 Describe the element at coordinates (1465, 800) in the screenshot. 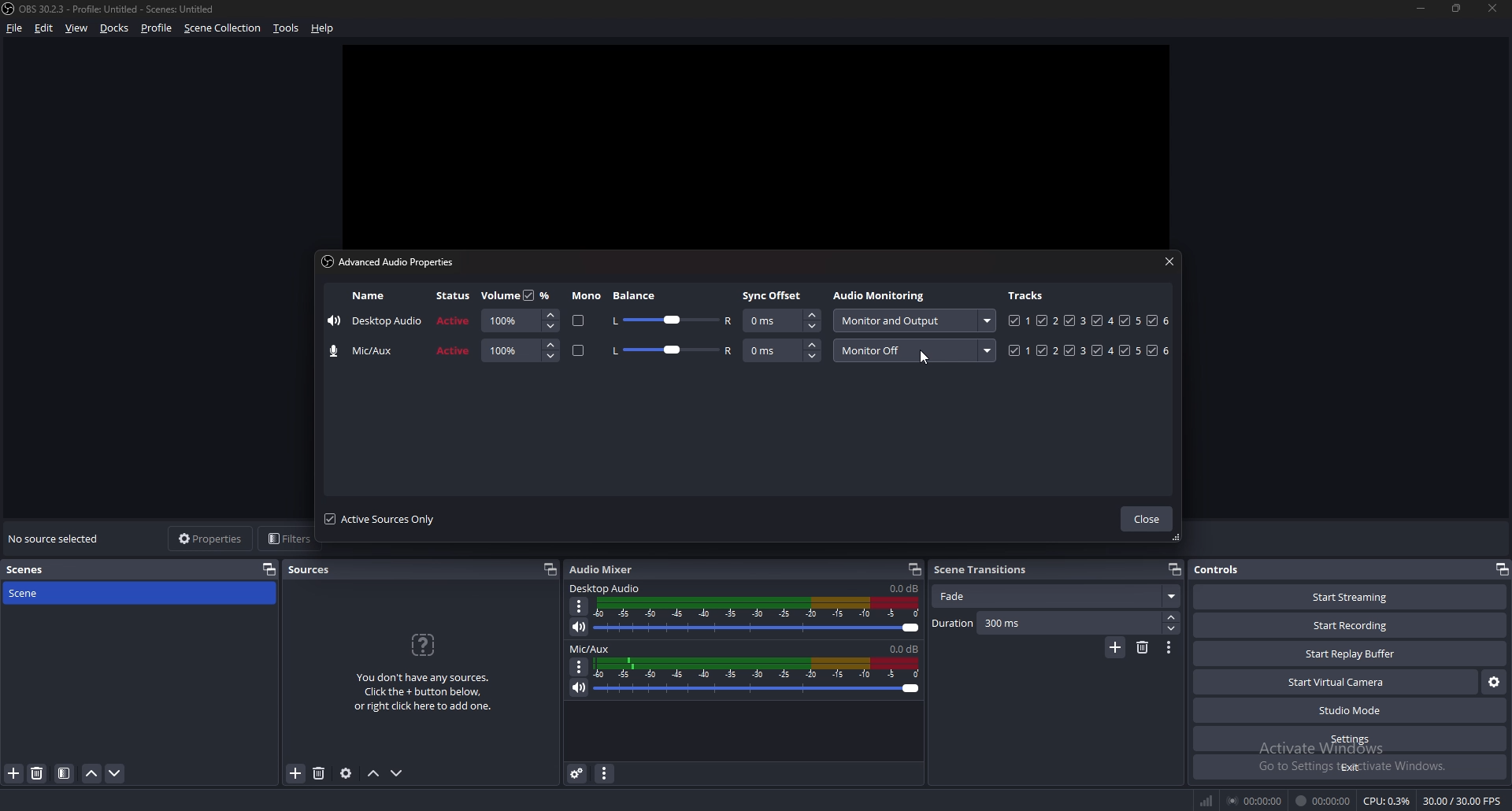

I see `30.00/ 30.00 FPS` at that location.